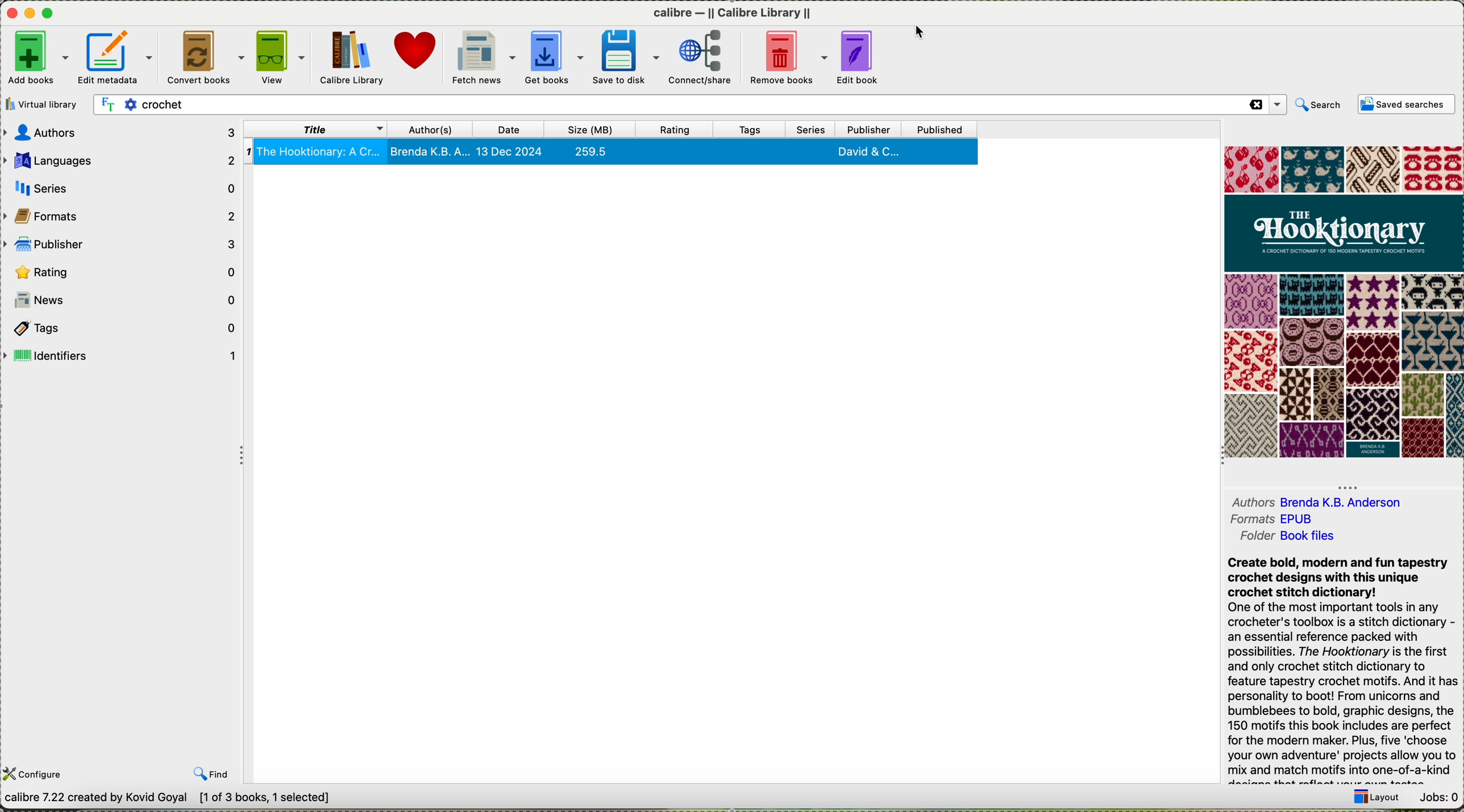 Image resolution: width=1464 pixels, height=812 pixels. What do you see at coordinates (1279, 104) in the screenshot?
I see `Drop down` at bounding box center [1279, 104].